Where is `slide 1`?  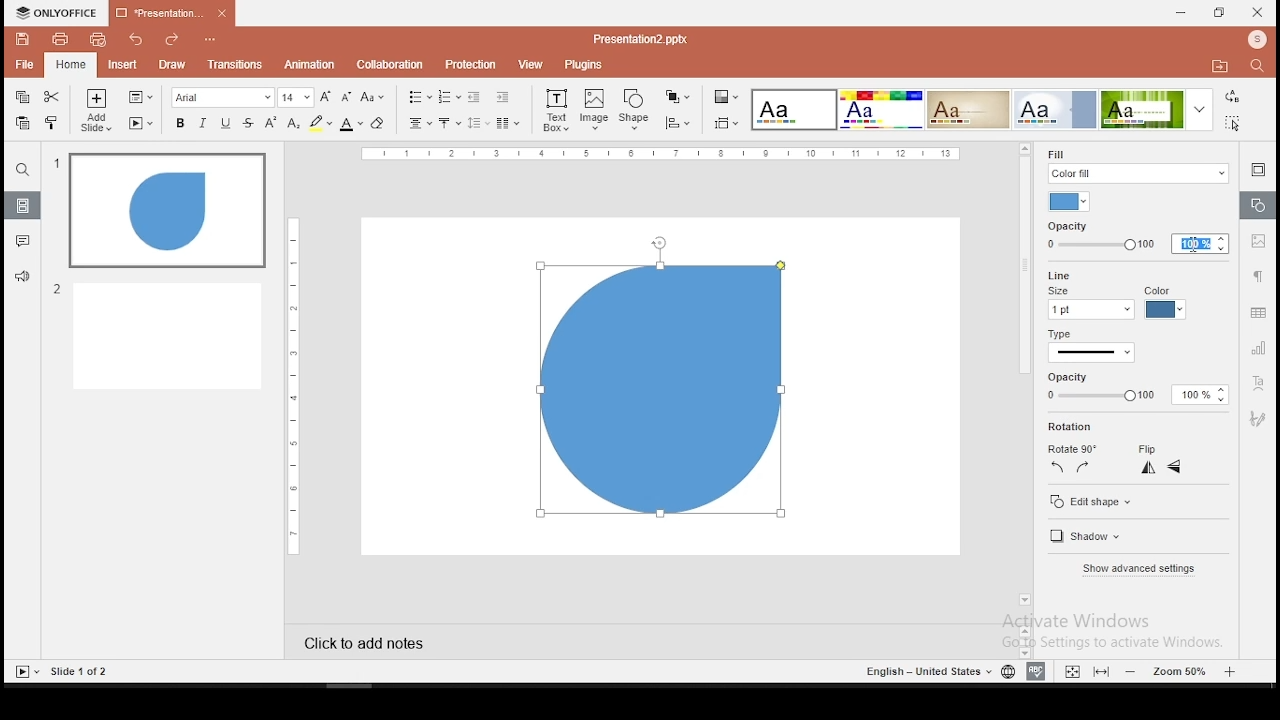 slide 1 is located at coordinates (167, 211).